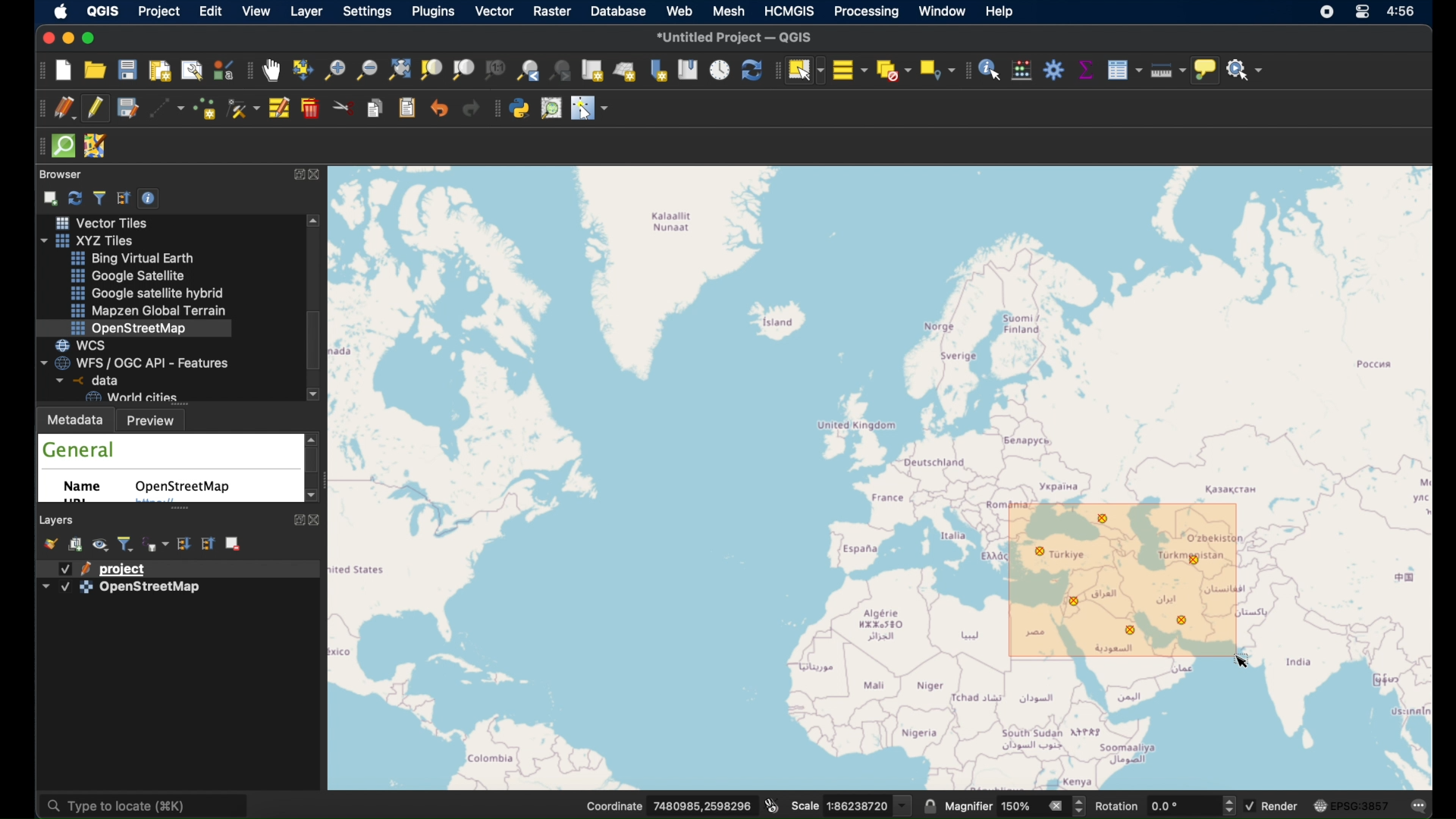 The width and height of the screenshot is (1456, 819). Describe the element at coordinates (680, 11) in the screenshot. I see `web` at that location.